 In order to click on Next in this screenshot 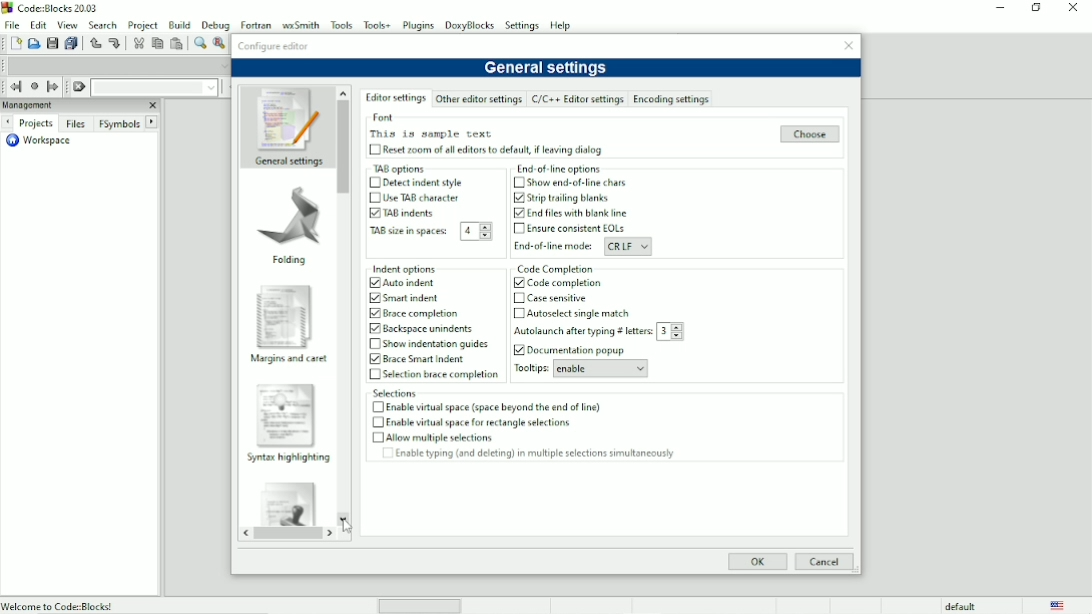, I will do `click(7, 123)`.